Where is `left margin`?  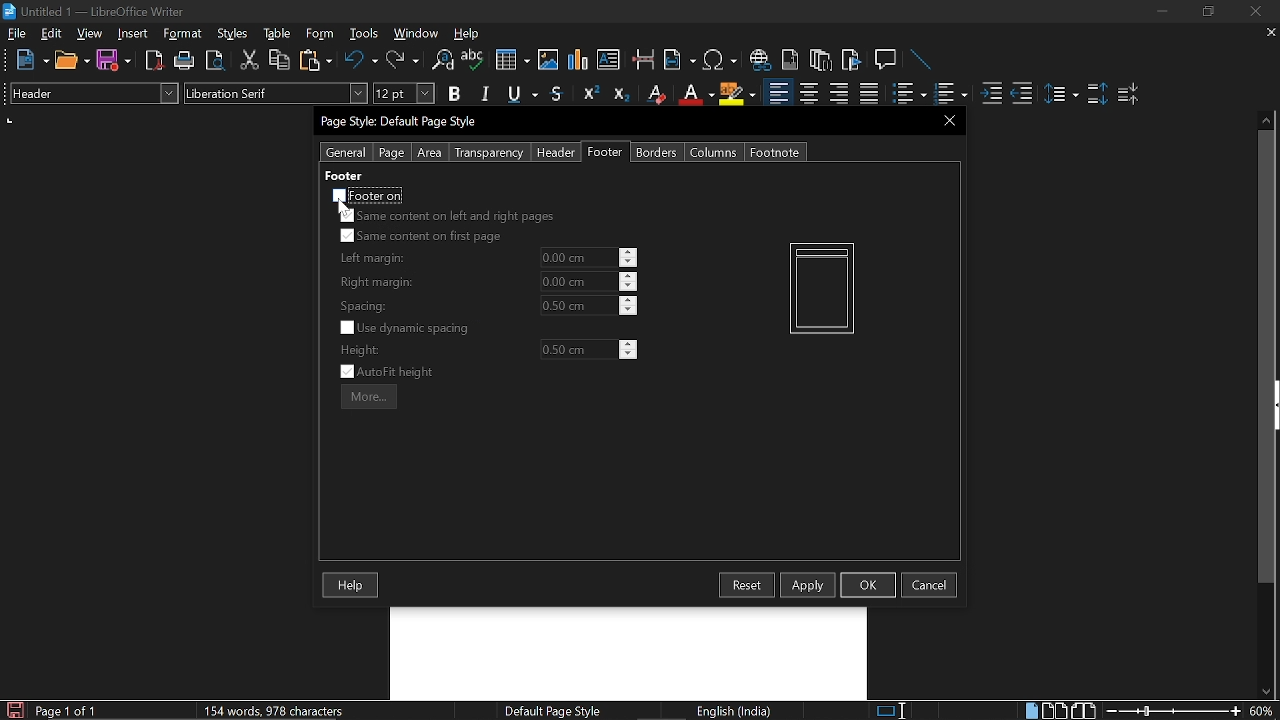 left margin is located at coordinates (370, 259).